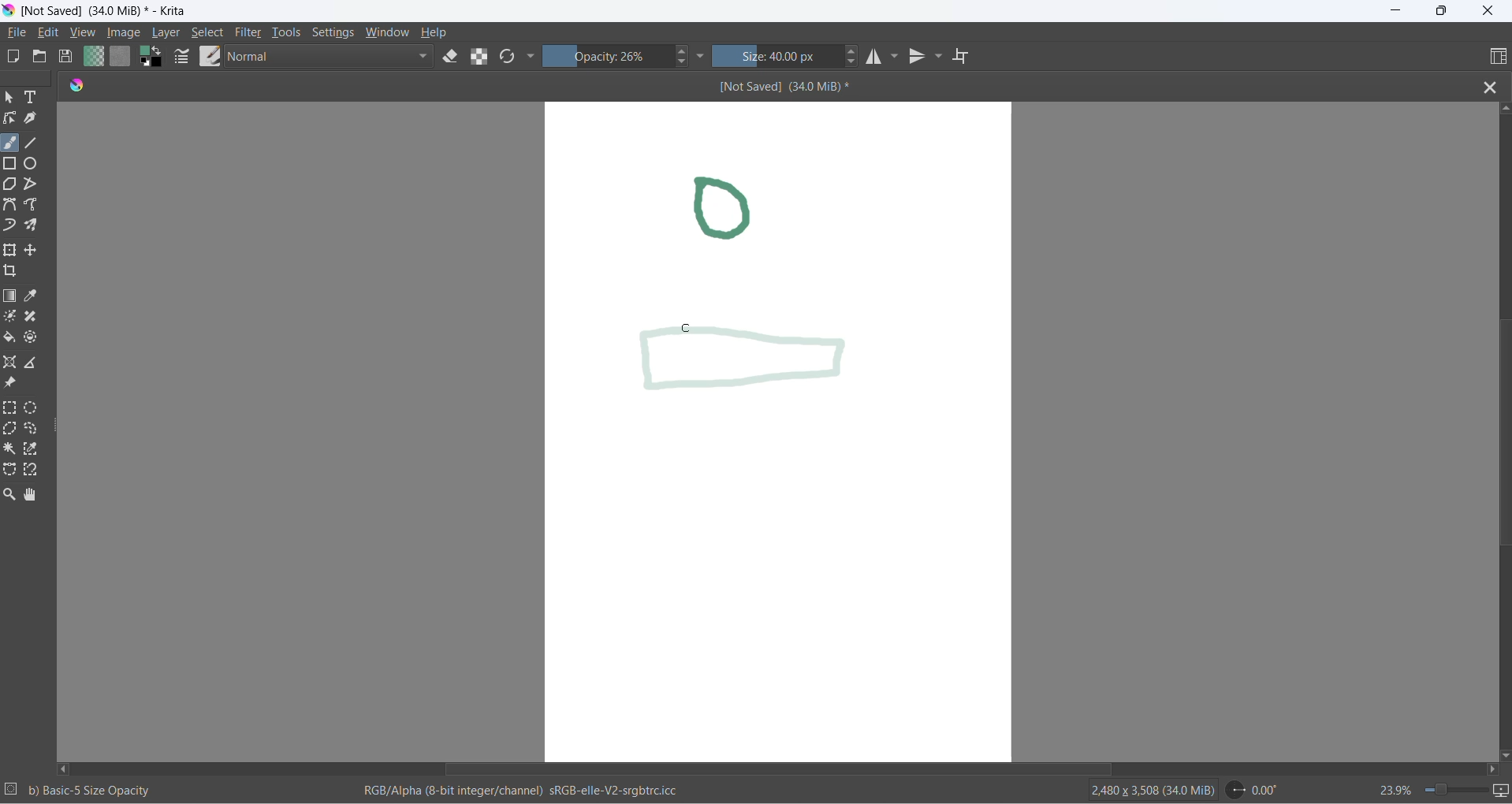 The width and height of the screenshot is (1512, 804). I want to click on [Not Saved] (340 MiB)* - Krita, so click(111, 11).